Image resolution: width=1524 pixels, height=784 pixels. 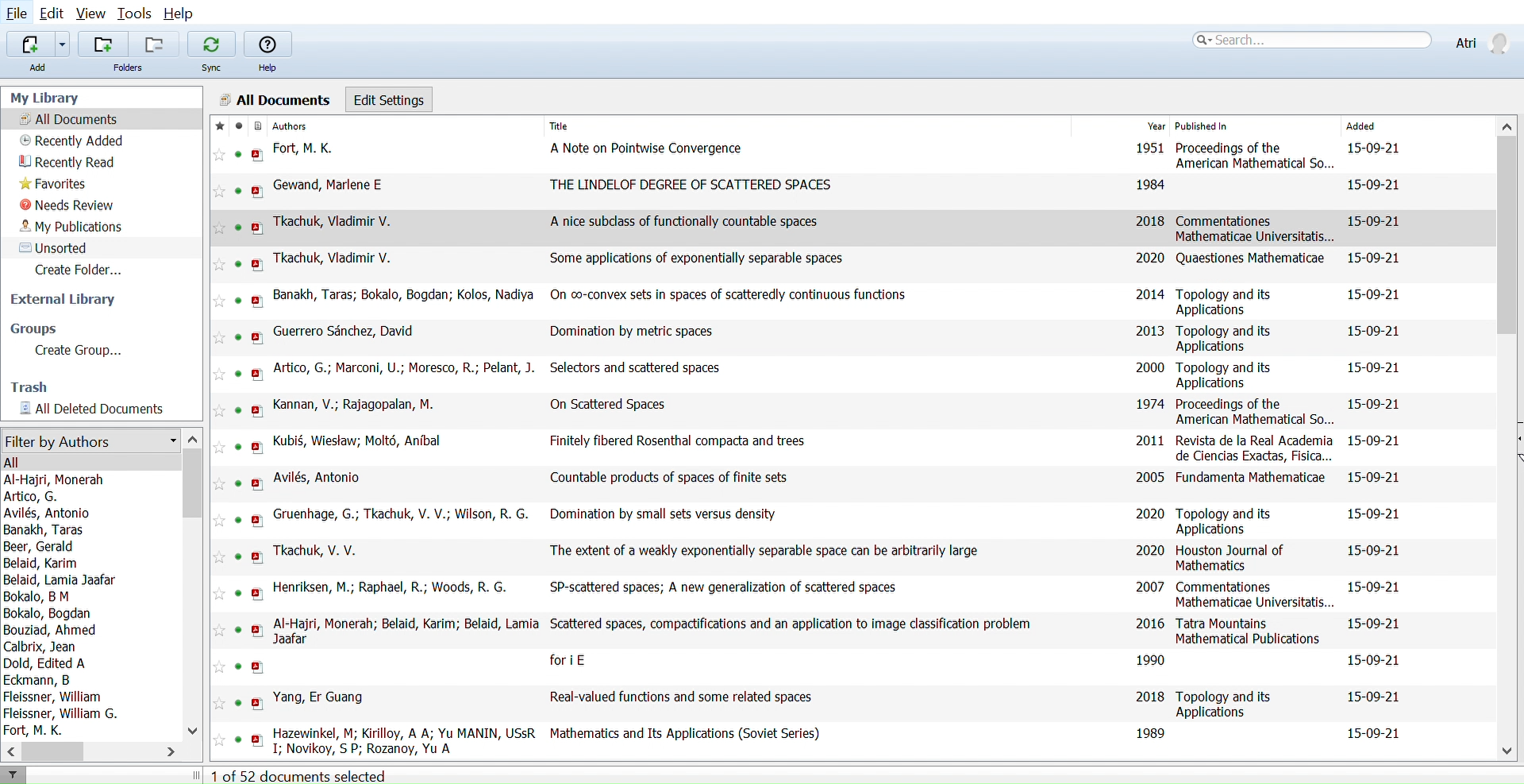 What do you see at coordinates (1256, 594) in the screenshot?
I see `Commentationes Mathematicae Universitatis...` at bounding box center [1256, 594].